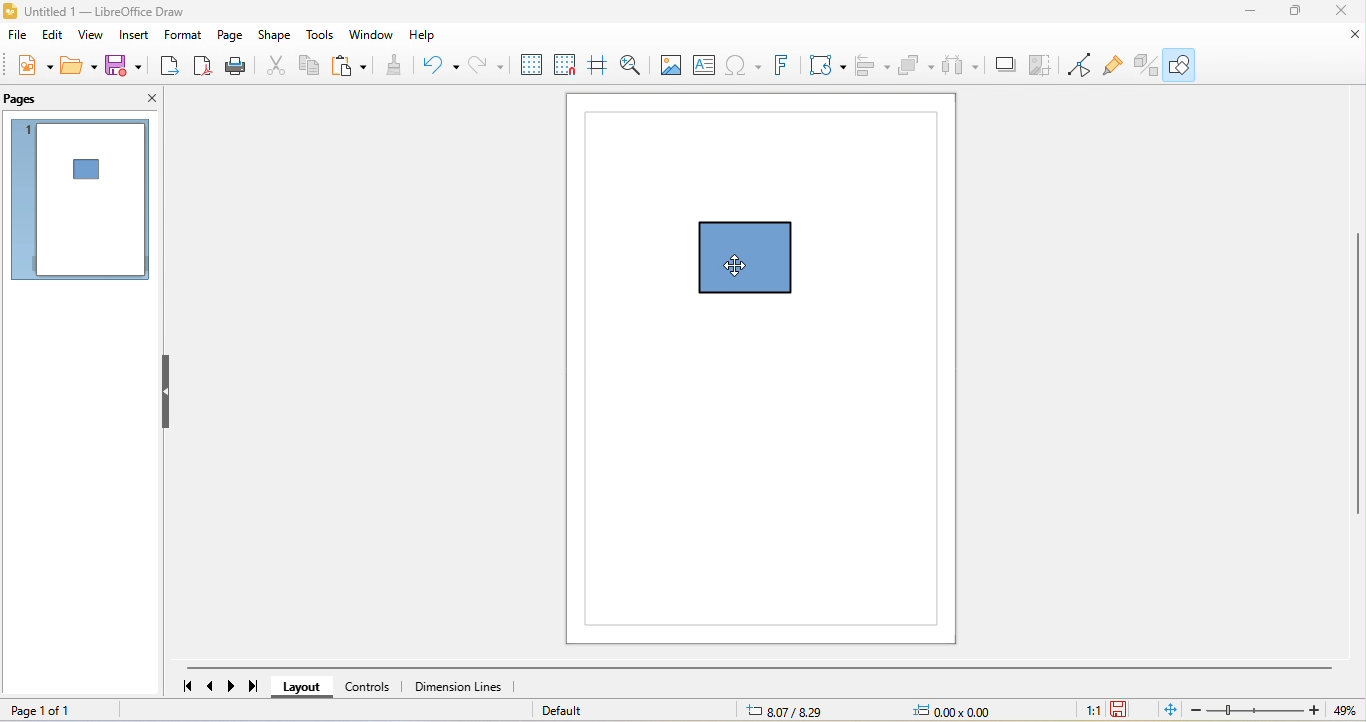  I want to click on fit page to current window, so click(1167, 711).